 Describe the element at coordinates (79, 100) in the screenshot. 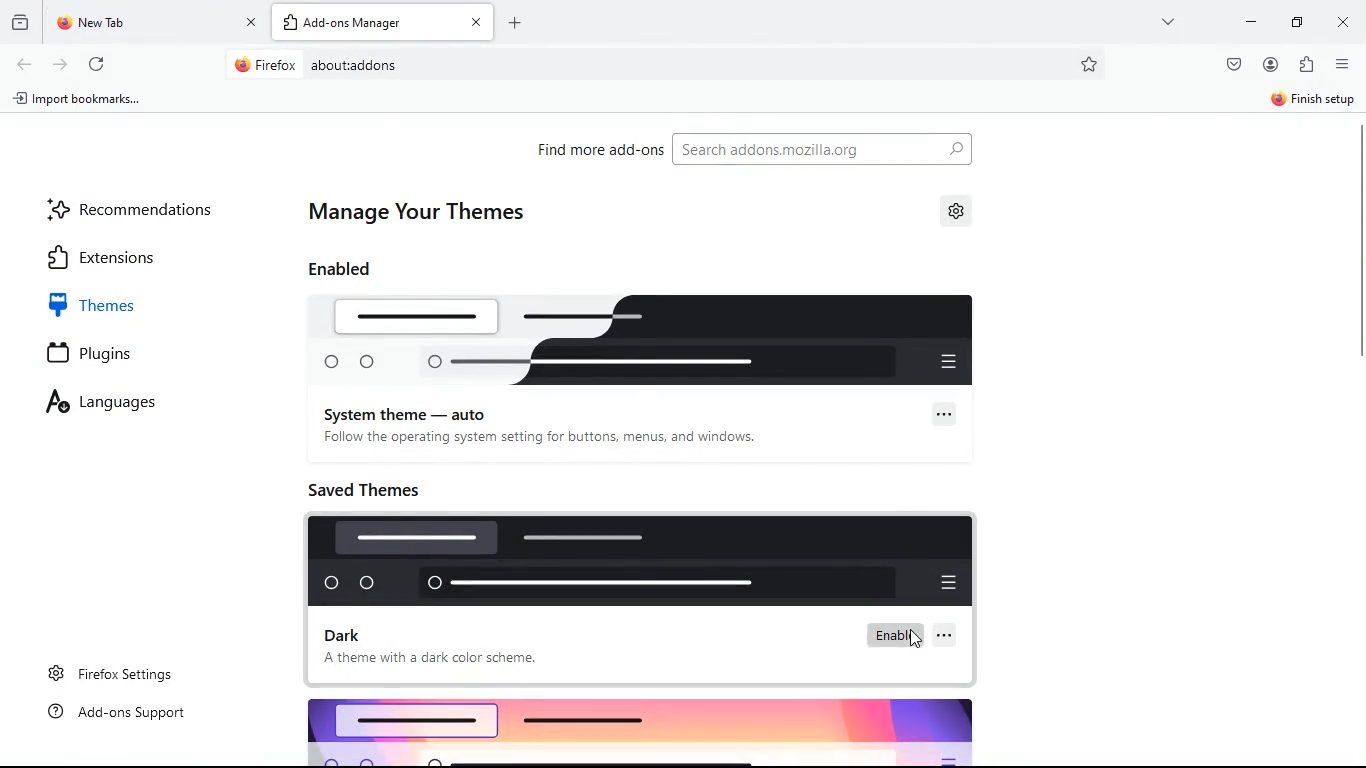

I see `import bookmarks` at that location.